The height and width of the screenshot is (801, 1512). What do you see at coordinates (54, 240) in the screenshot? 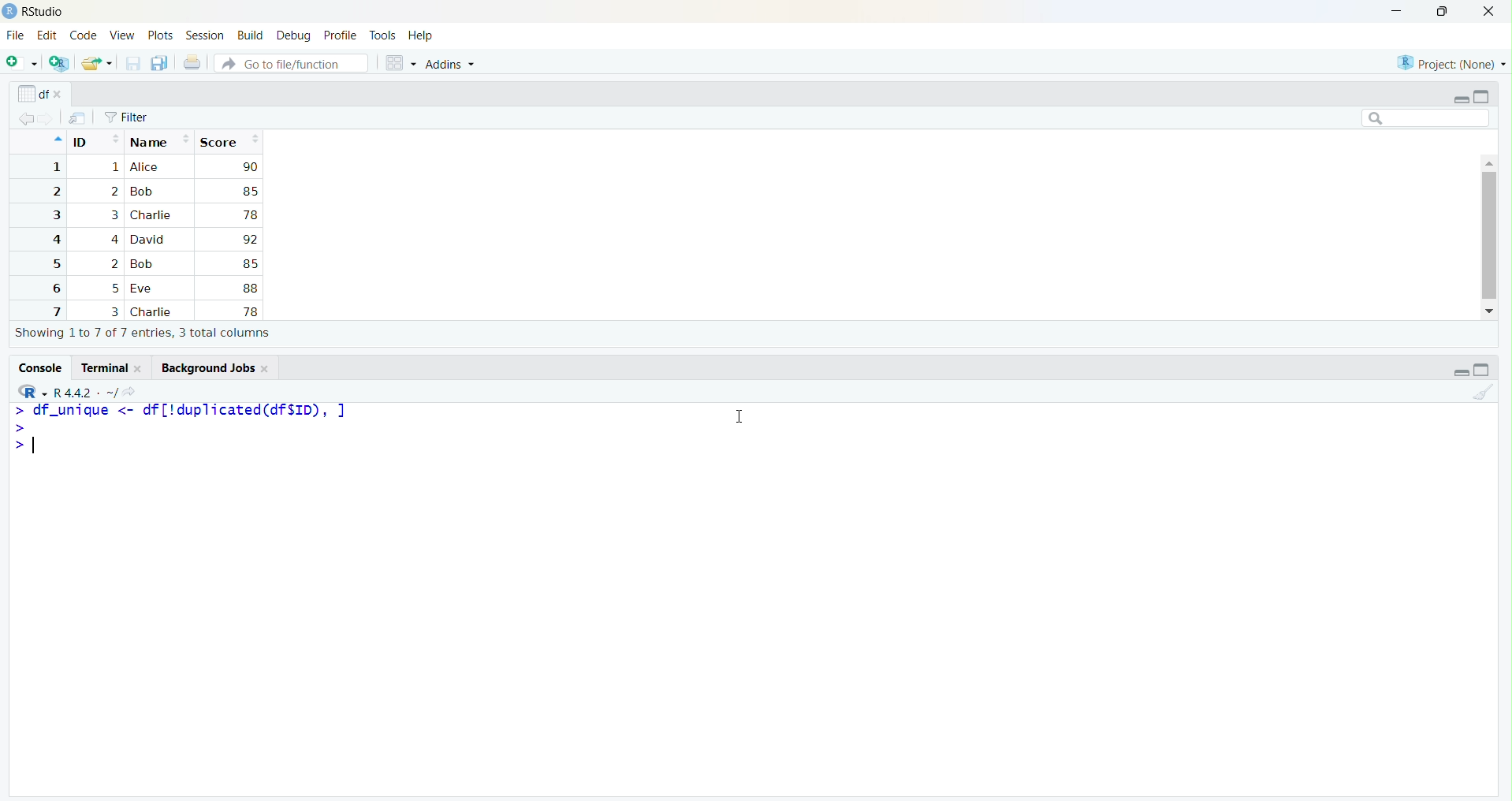
I see `4` at bounding box center [54, 240].